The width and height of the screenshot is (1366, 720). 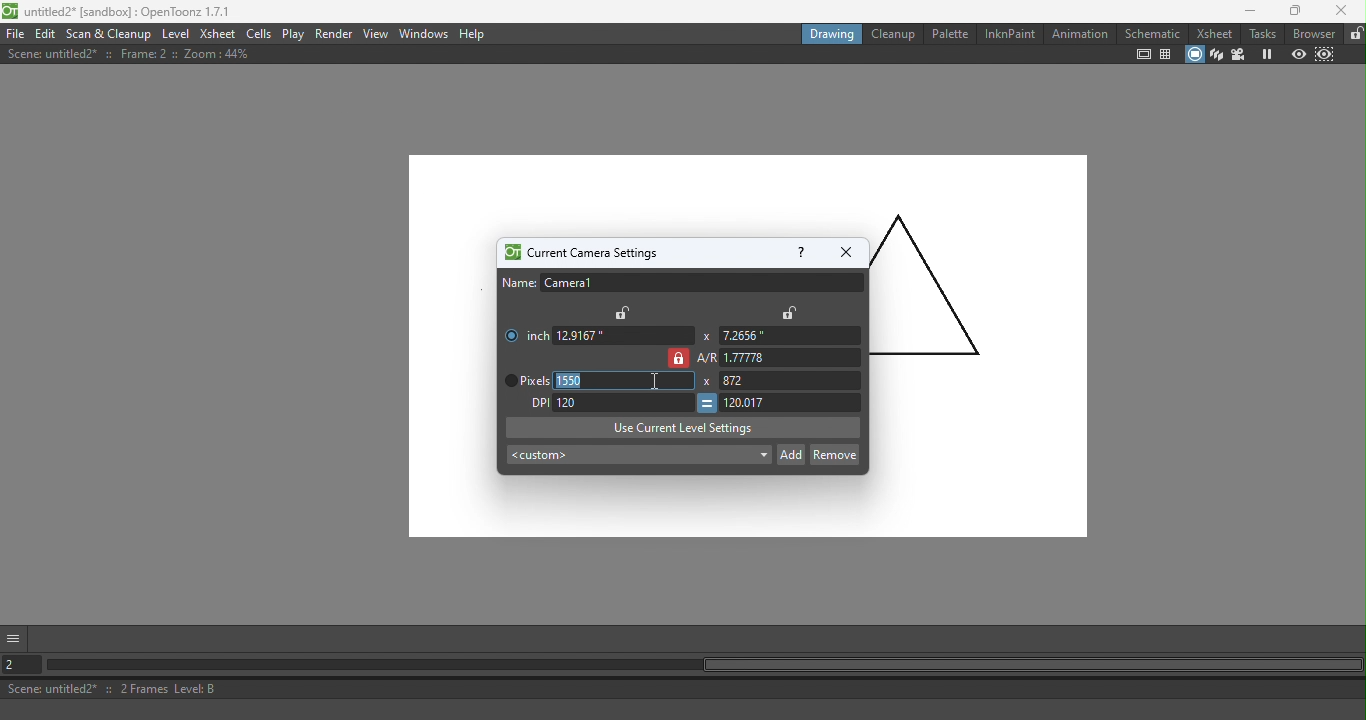 I want to click on canvas, so click(x=453, y=356).